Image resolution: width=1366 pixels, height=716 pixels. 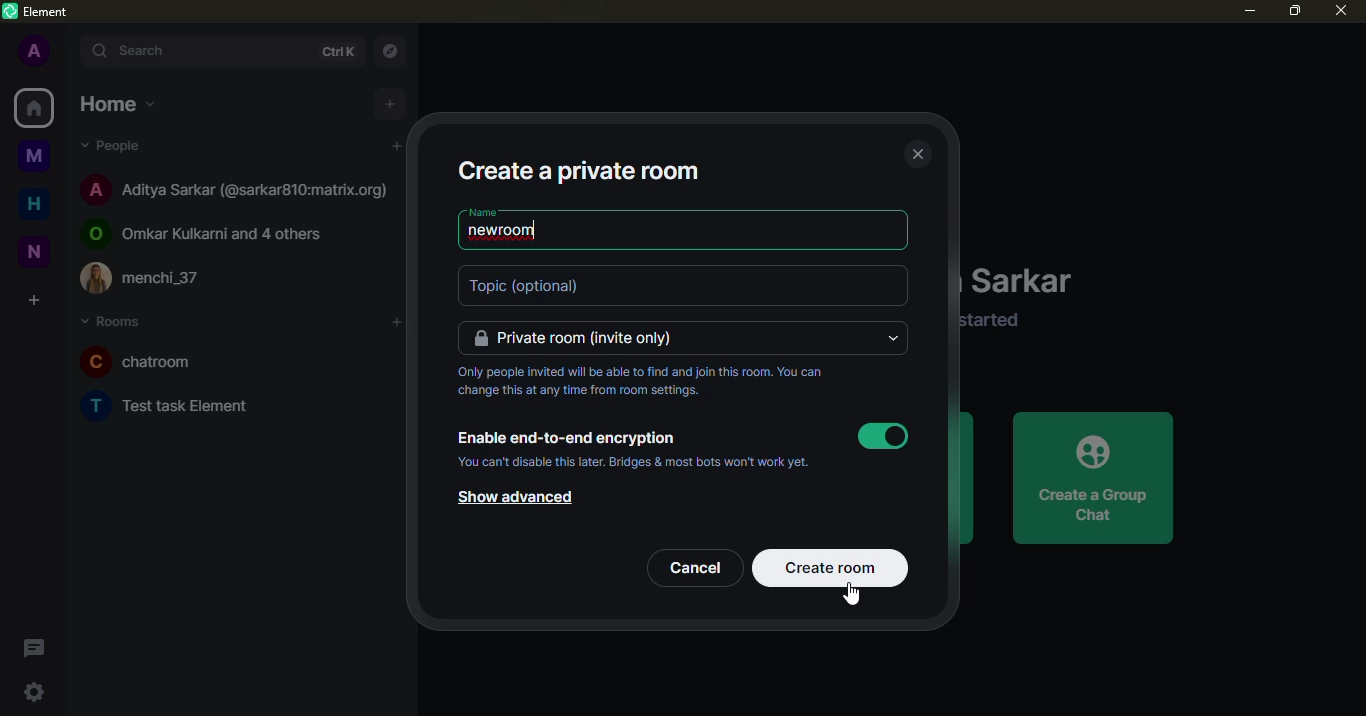 What do you see at coordinates (530, 286) in the screenshot?
I see `topic (optional)` at bounding box center [530, 286].